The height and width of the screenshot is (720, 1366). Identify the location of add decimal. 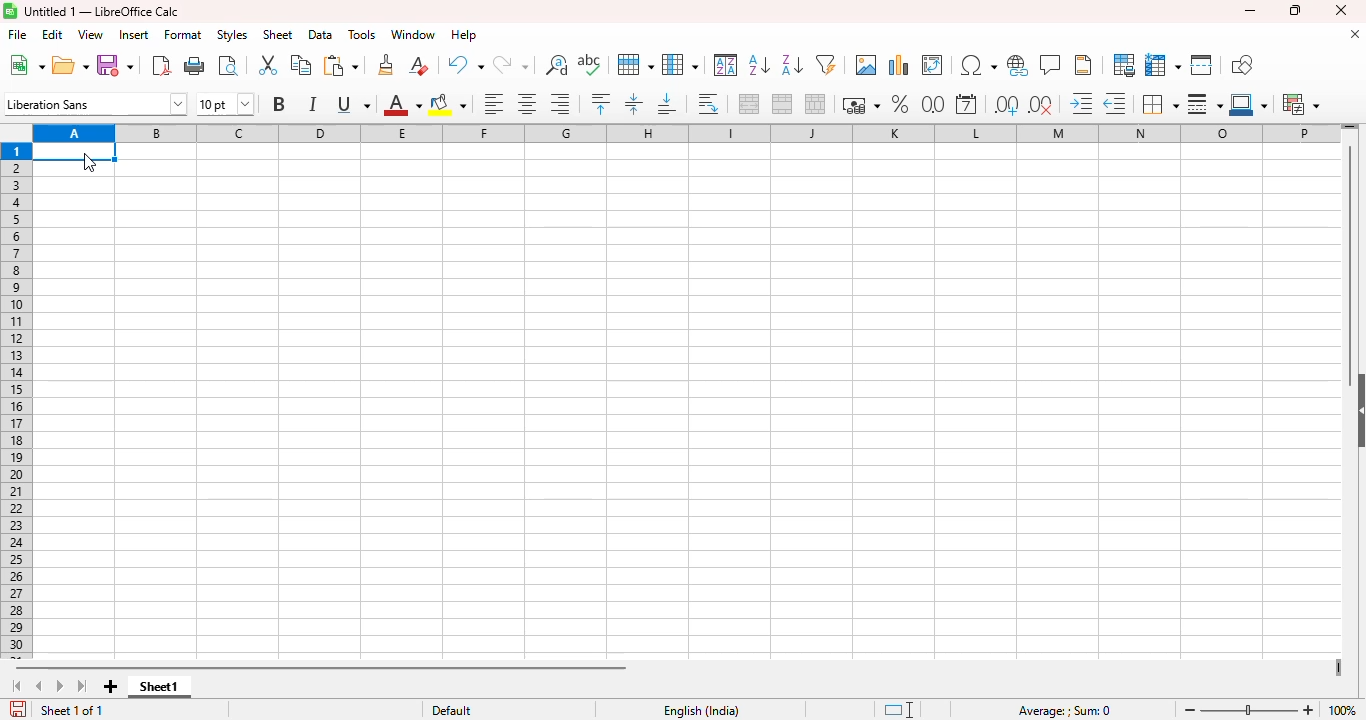
(1007, 105).